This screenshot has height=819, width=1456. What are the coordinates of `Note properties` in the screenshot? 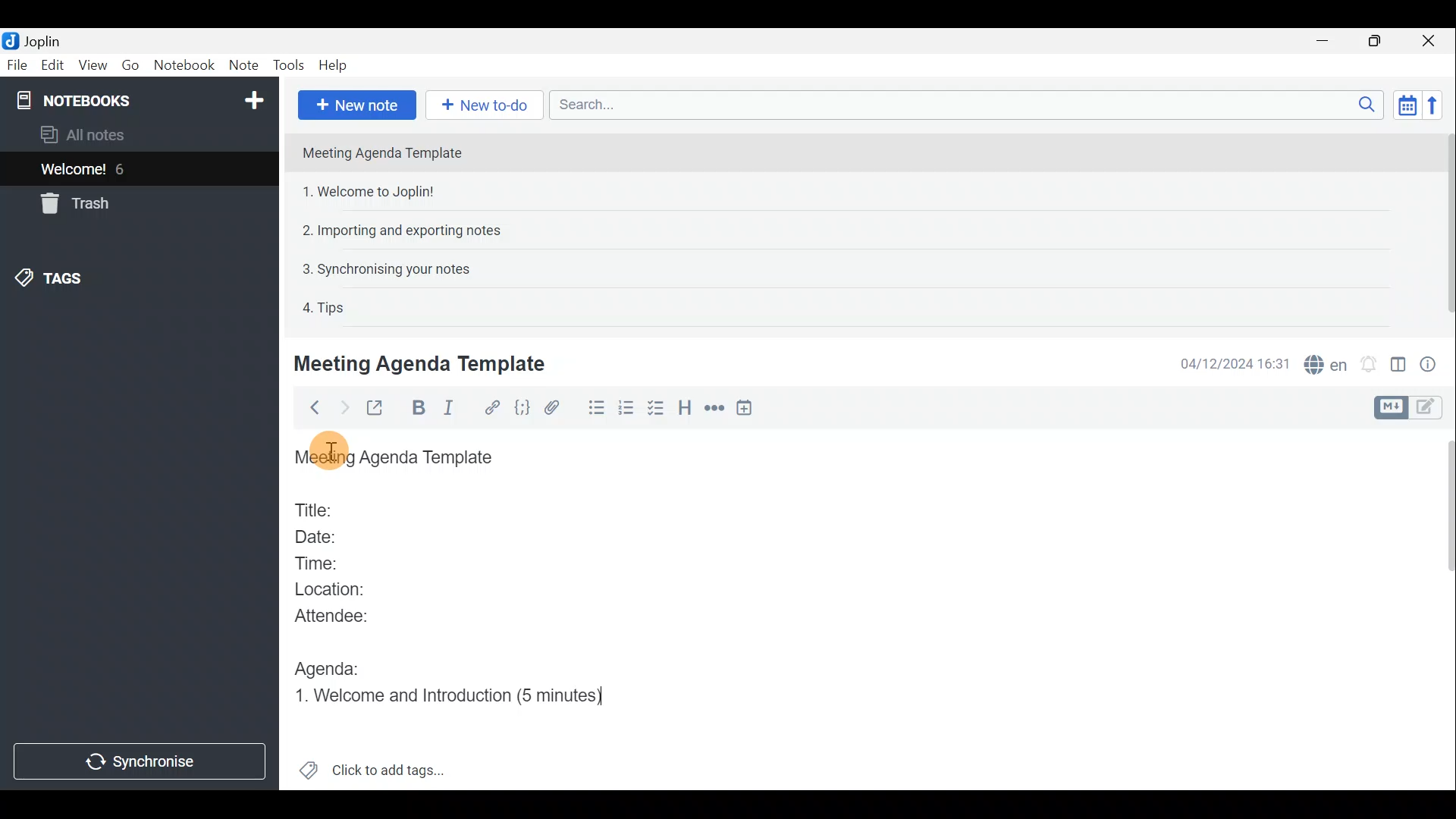 It's located at (1433, 363).